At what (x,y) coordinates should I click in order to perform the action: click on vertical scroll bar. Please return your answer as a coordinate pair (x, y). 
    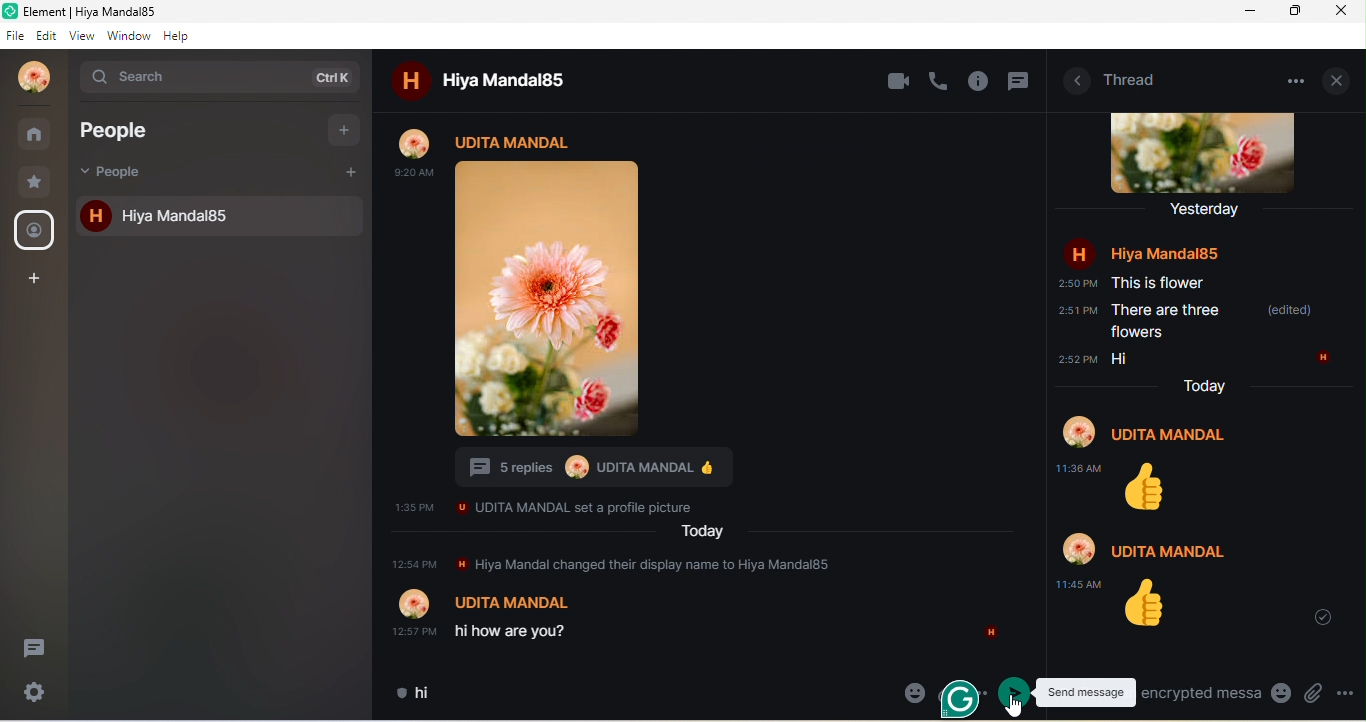
    Looking at the image, I should click on (1037, 582).